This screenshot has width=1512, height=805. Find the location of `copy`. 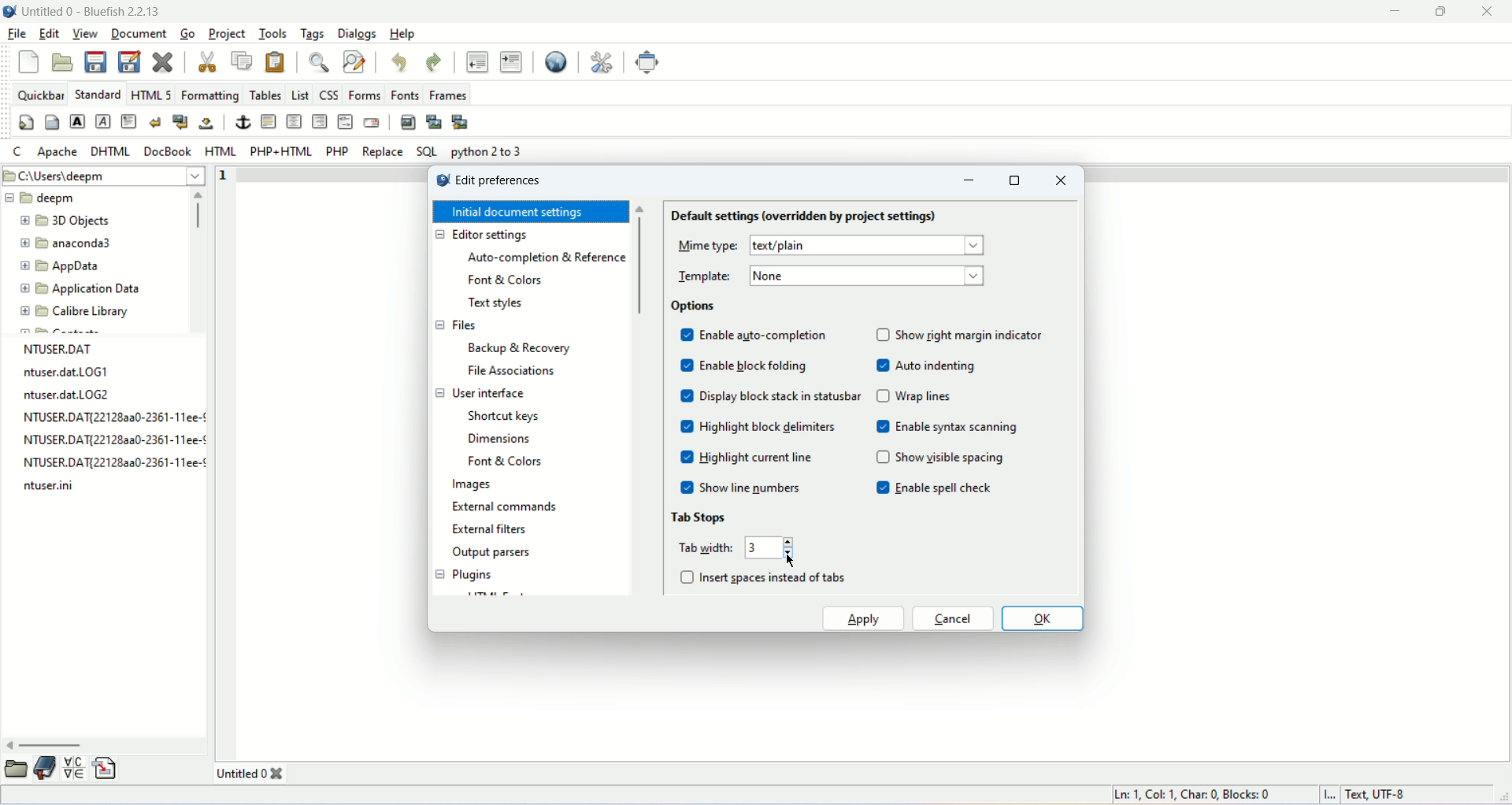

copy is located at coordinates (242, 59).